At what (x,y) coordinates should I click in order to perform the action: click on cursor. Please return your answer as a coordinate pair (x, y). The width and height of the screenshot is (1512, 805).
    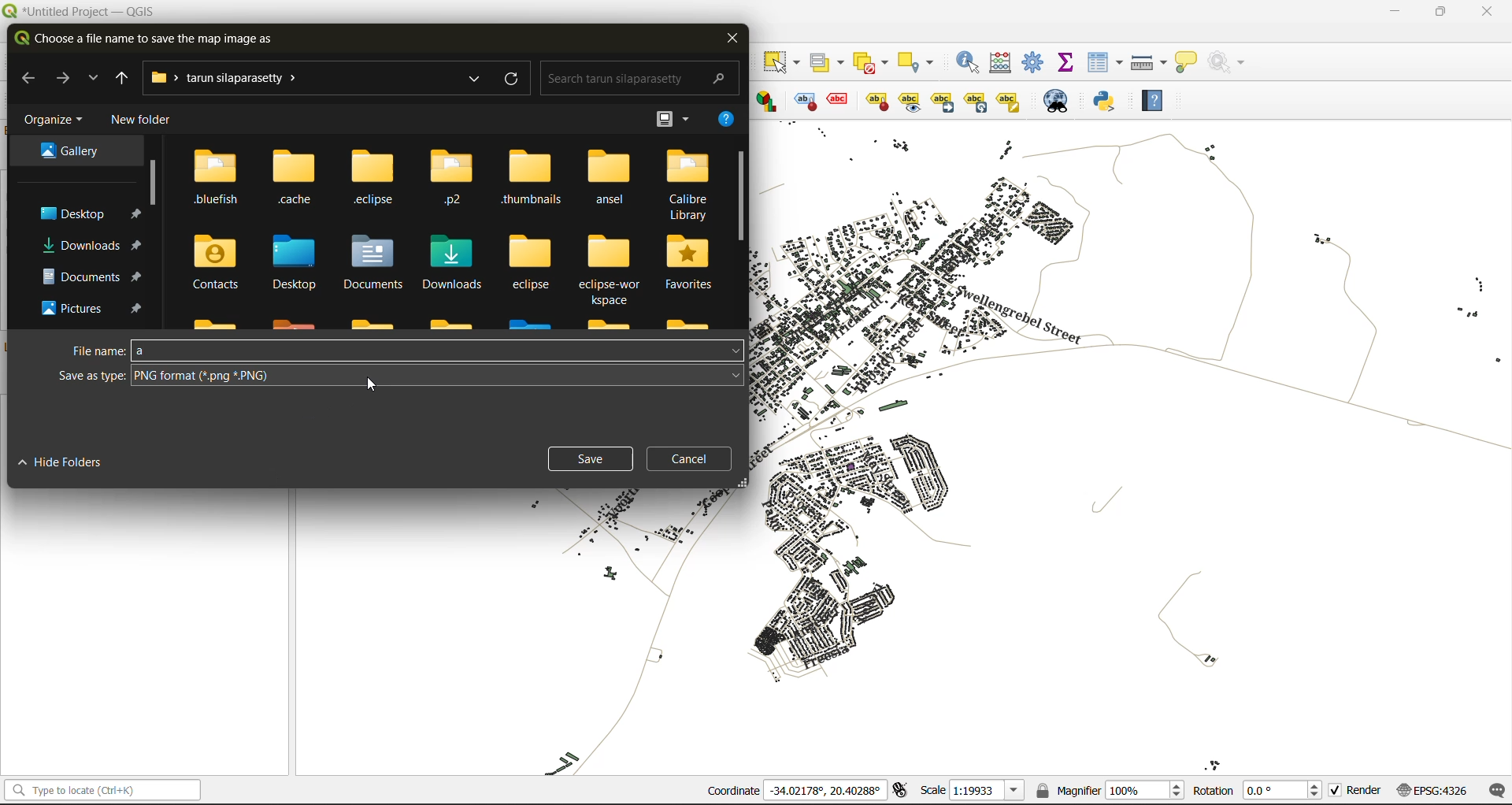
    Looking at the image, I should click on (376, 391).